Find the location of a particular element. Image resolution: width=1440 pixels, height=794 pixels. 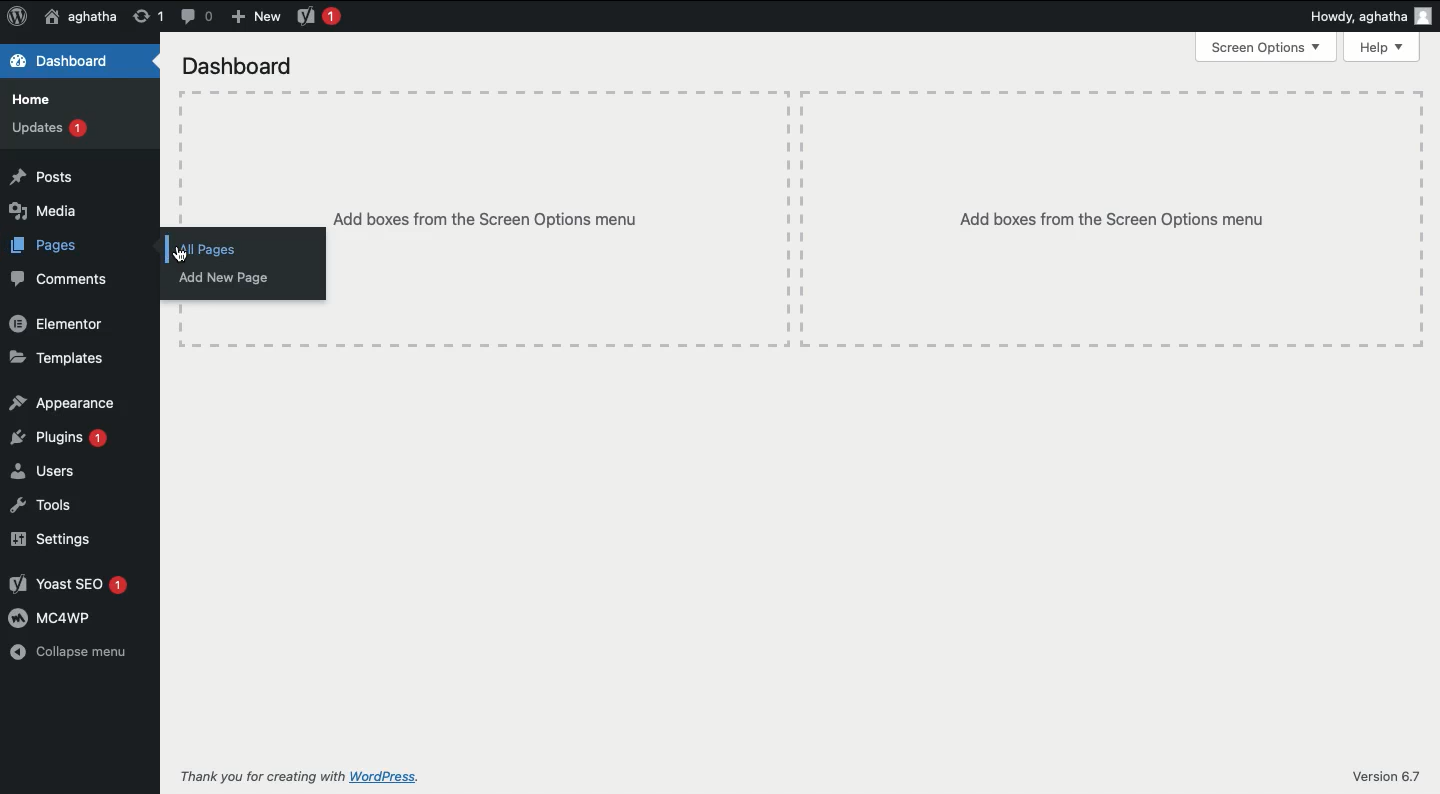

Screen options is located at coordinates (1267, 48).